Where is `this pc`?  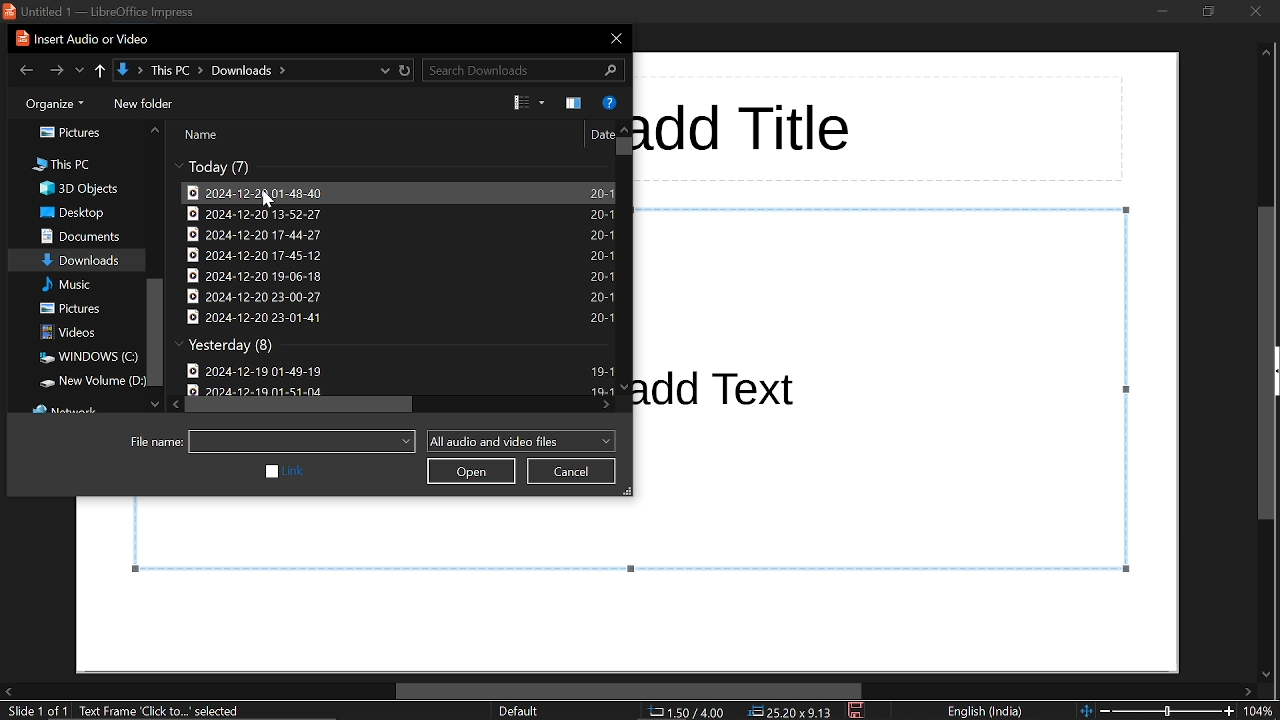
this pc is located at coordinates (64, 165).